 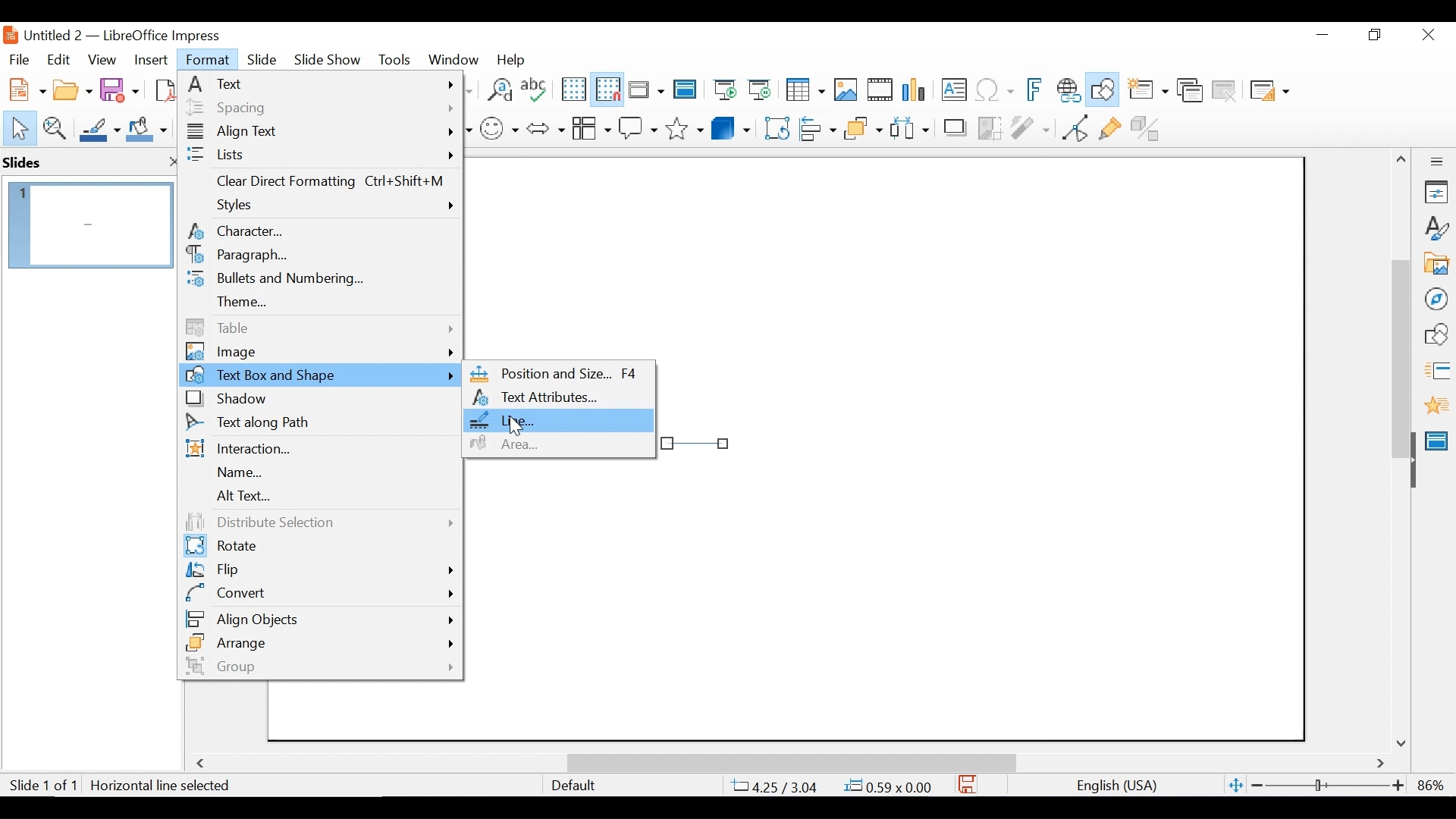 I want to click on , so click(x=591, y=127).